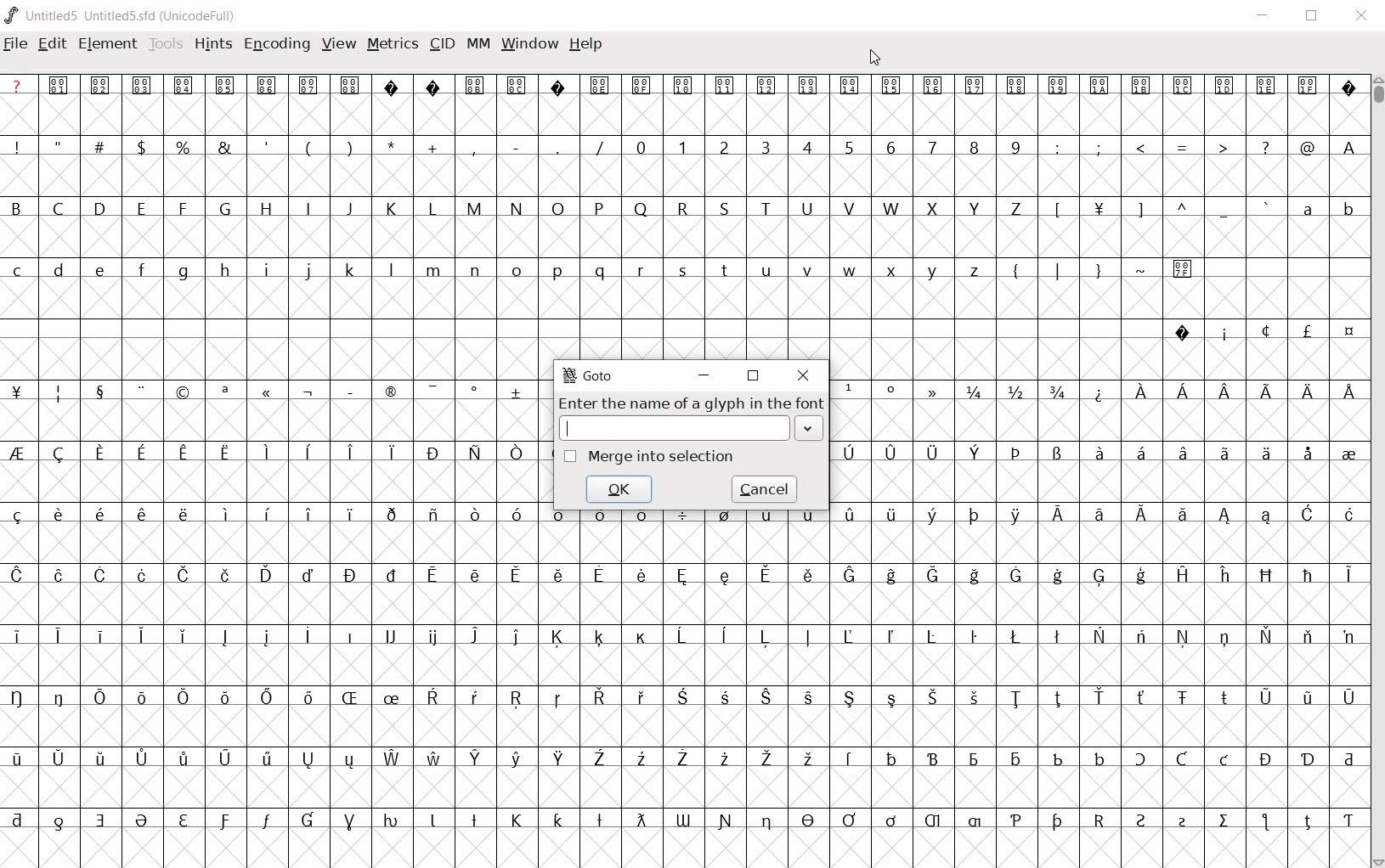  Describe the element at coordinates (517, 390) in the screenshot. I see `Symbol` at that location.